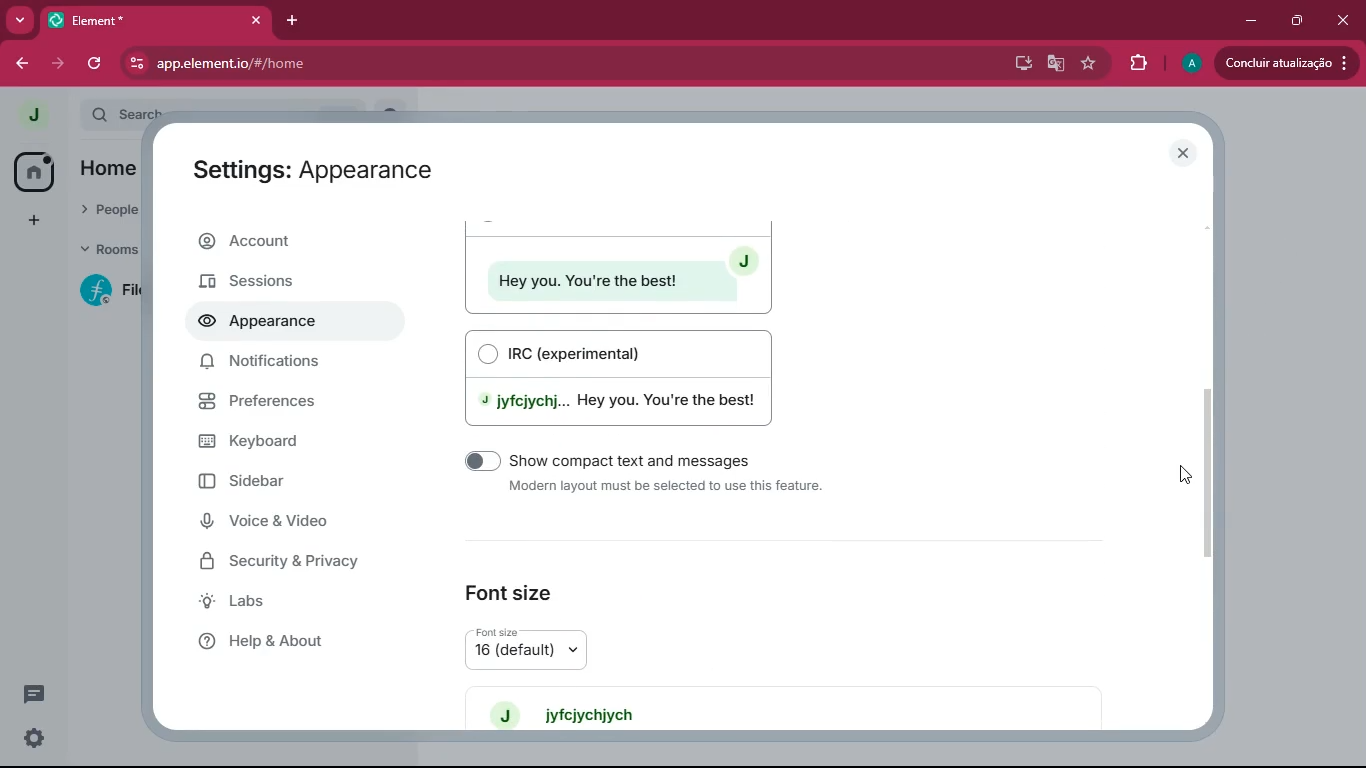 The width and height of the screenshot is (1366, 768). I want to click on labs, so click(286, 603).